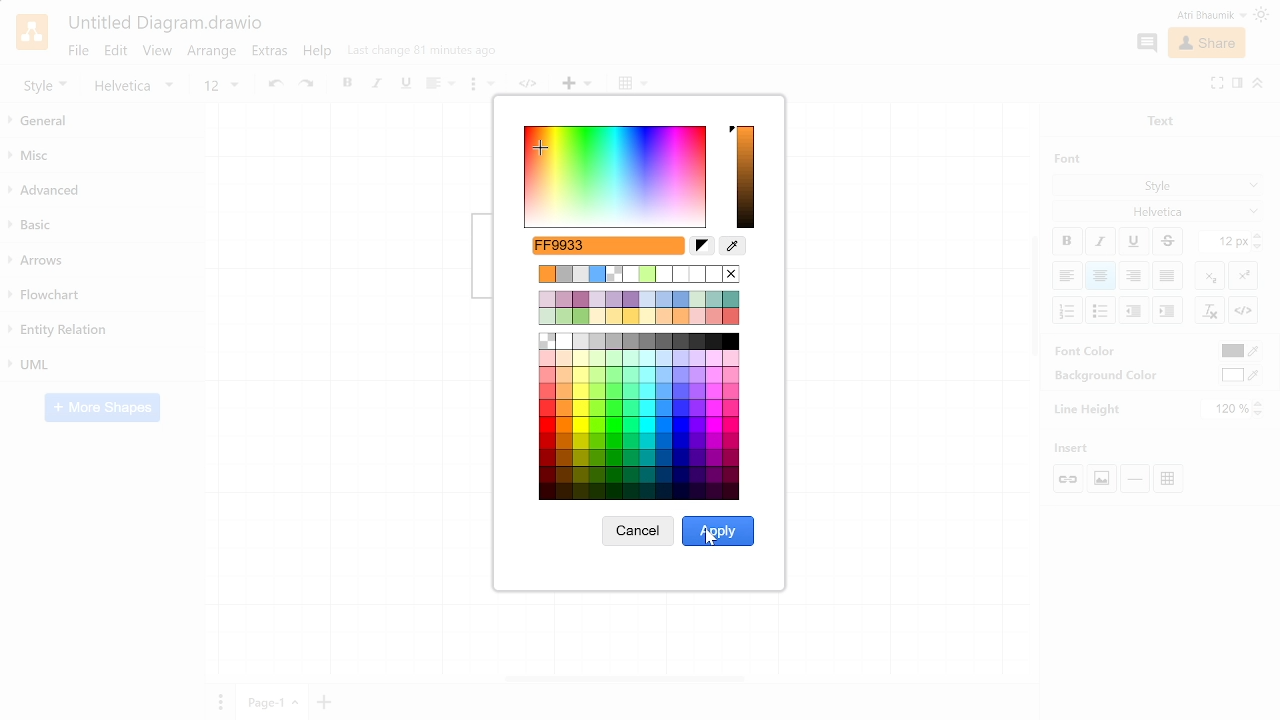 Image resolution: width=1280 pixels, height=720 pixels. What do you see at coordinates (1225, 242) in the screenshot?
I see `Font size` at bounding box center [1225, 242].